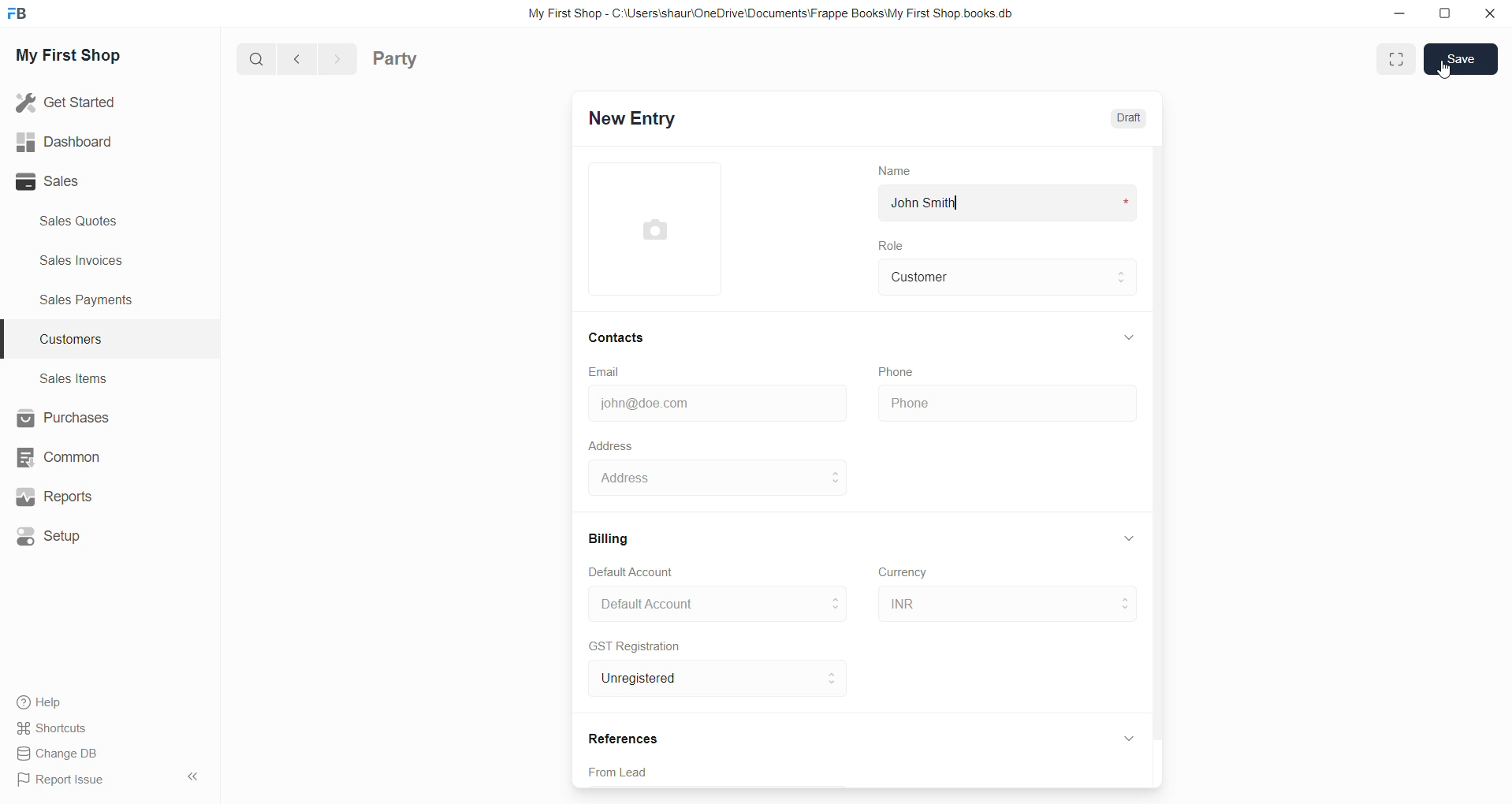  Describe the element at coordinates (662, 229) in the screenshot. I see `select profile picture` at that location.